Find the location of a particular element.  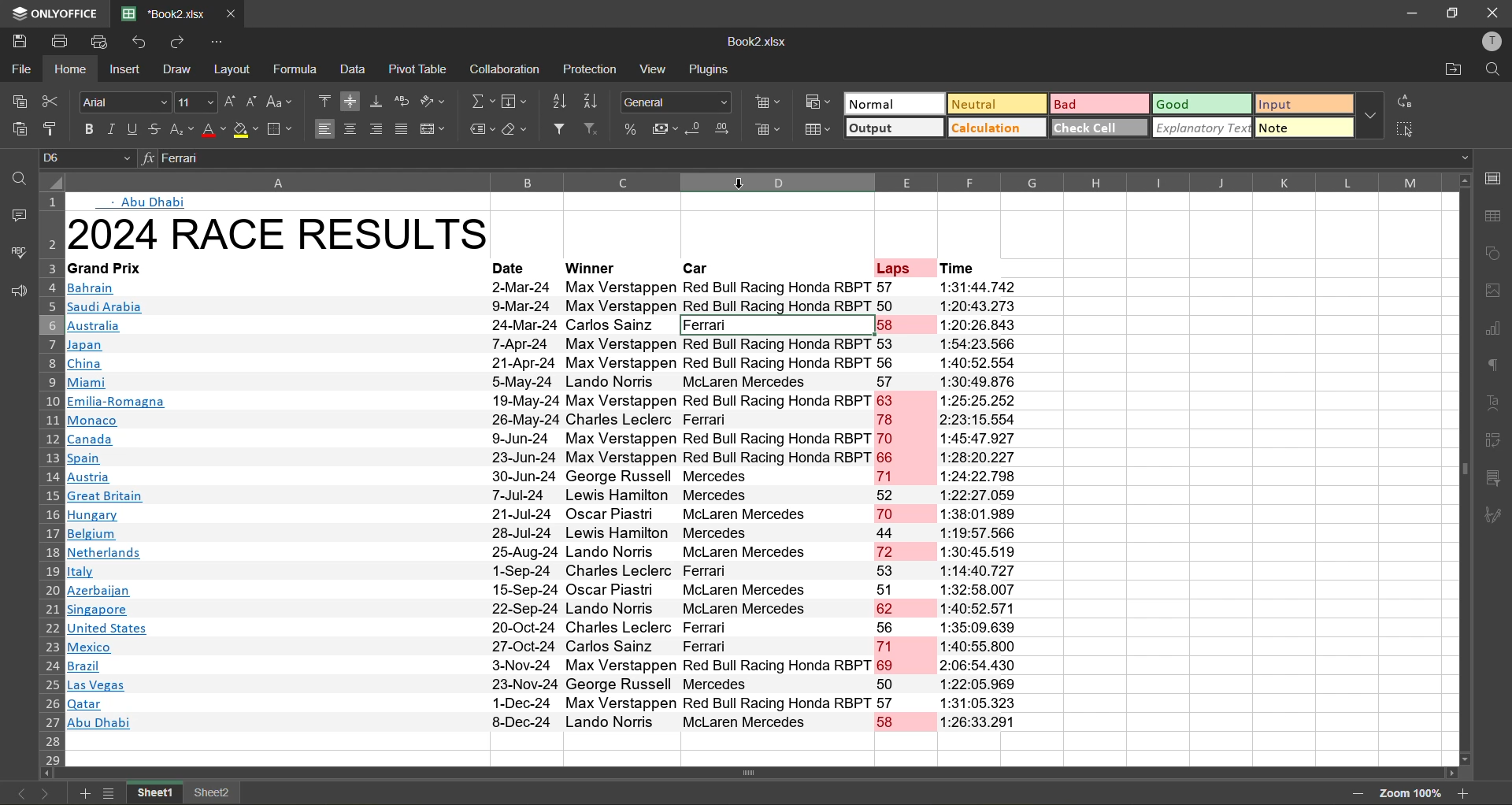

accounting is located at coordinates (666, 128).